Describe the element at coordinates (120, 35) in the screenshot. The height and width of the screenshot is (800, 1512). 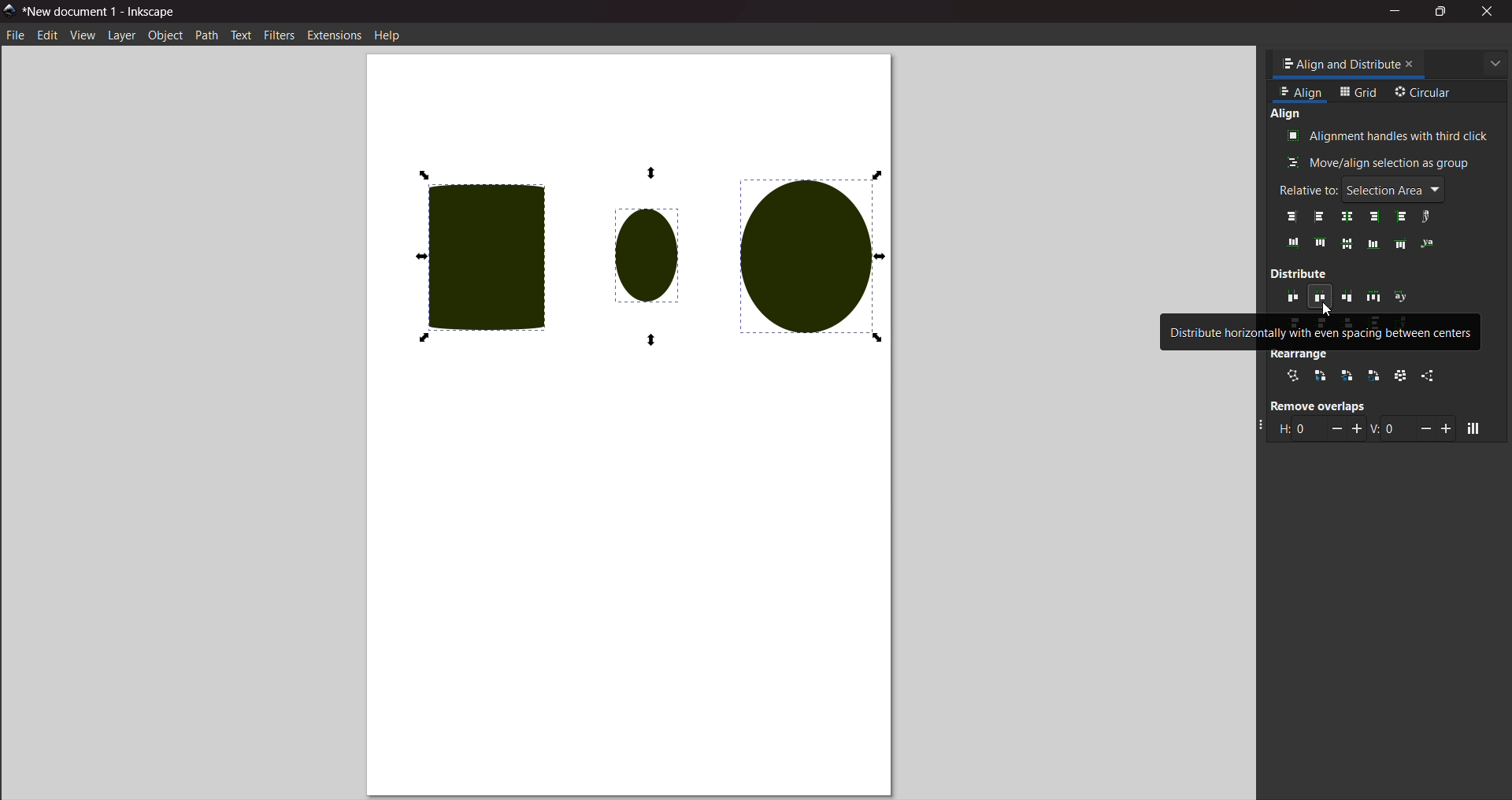
I see `layer` at that location.